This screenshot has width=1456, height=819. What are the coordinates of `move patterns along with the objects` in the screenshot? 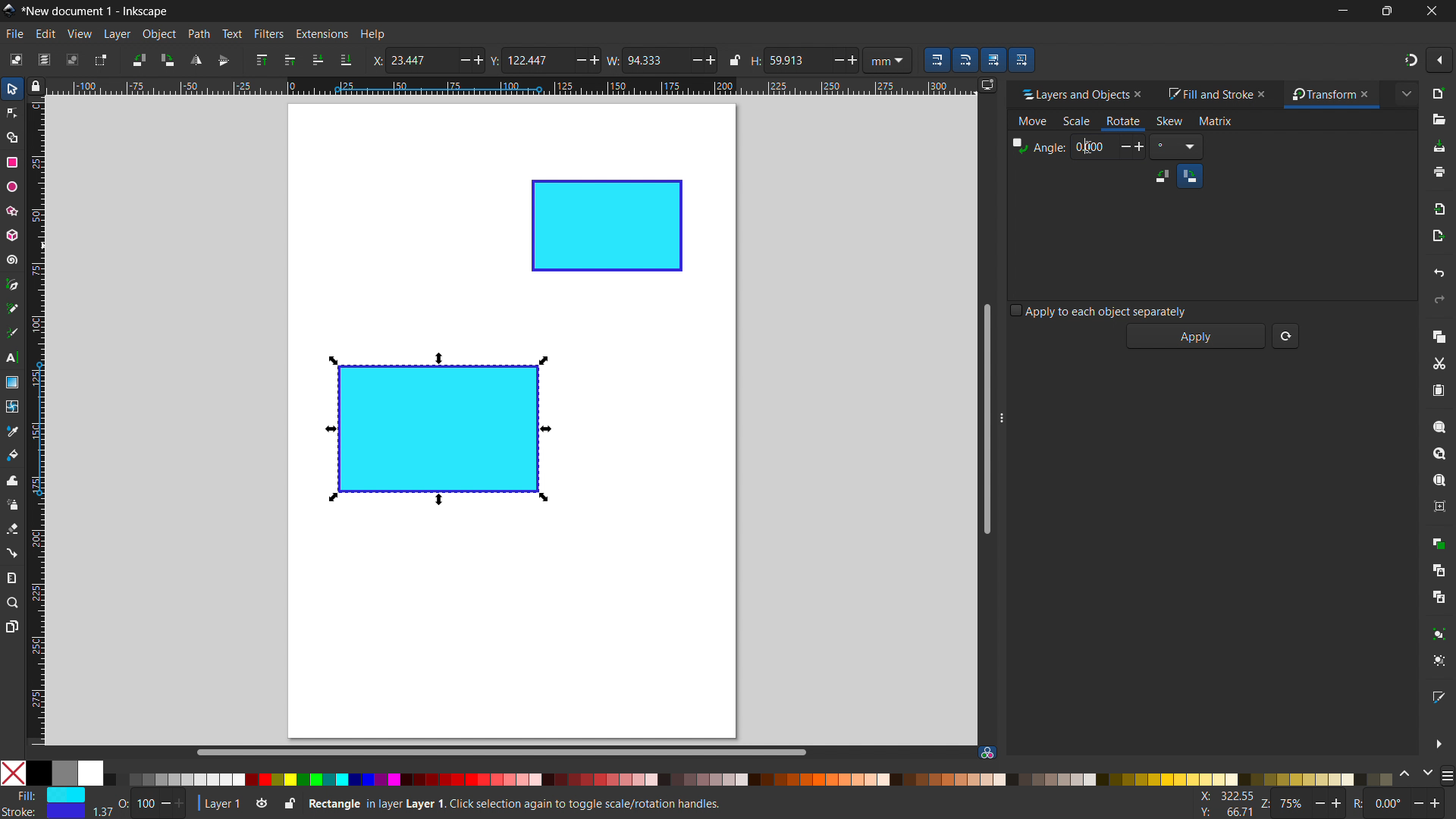 It's located at (1021, 59).